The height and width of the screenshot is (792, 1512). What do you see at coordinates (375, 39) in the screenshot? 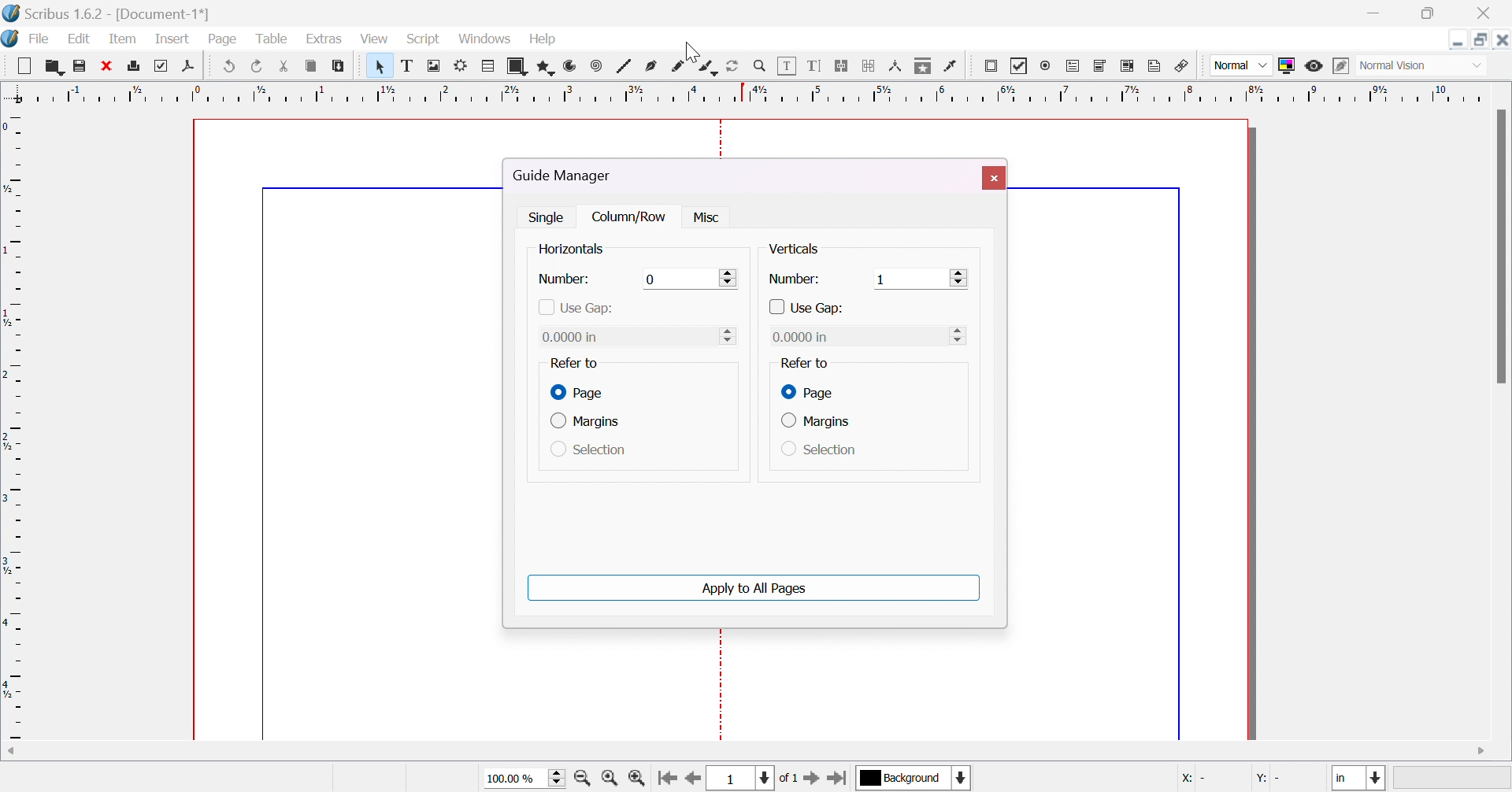
I see `view` at bounding box center [375, 39].